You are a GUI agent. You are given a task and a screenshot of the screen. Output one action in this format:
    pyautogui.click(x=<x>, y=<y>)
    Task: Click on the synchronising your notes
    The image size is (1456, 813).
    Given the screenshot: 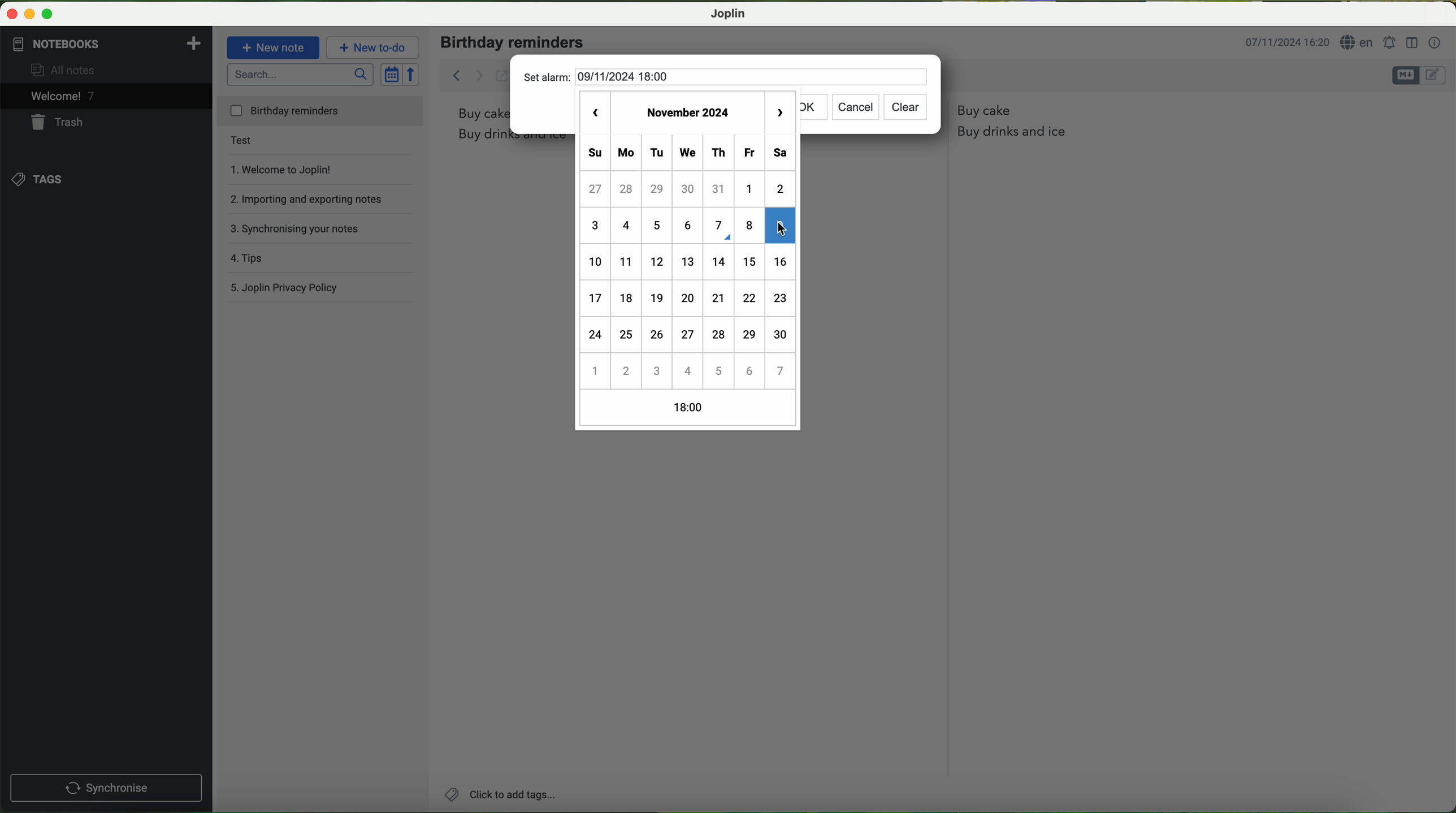 What is the action you would take?
    pyautogui.click(x=304, y=227)
    